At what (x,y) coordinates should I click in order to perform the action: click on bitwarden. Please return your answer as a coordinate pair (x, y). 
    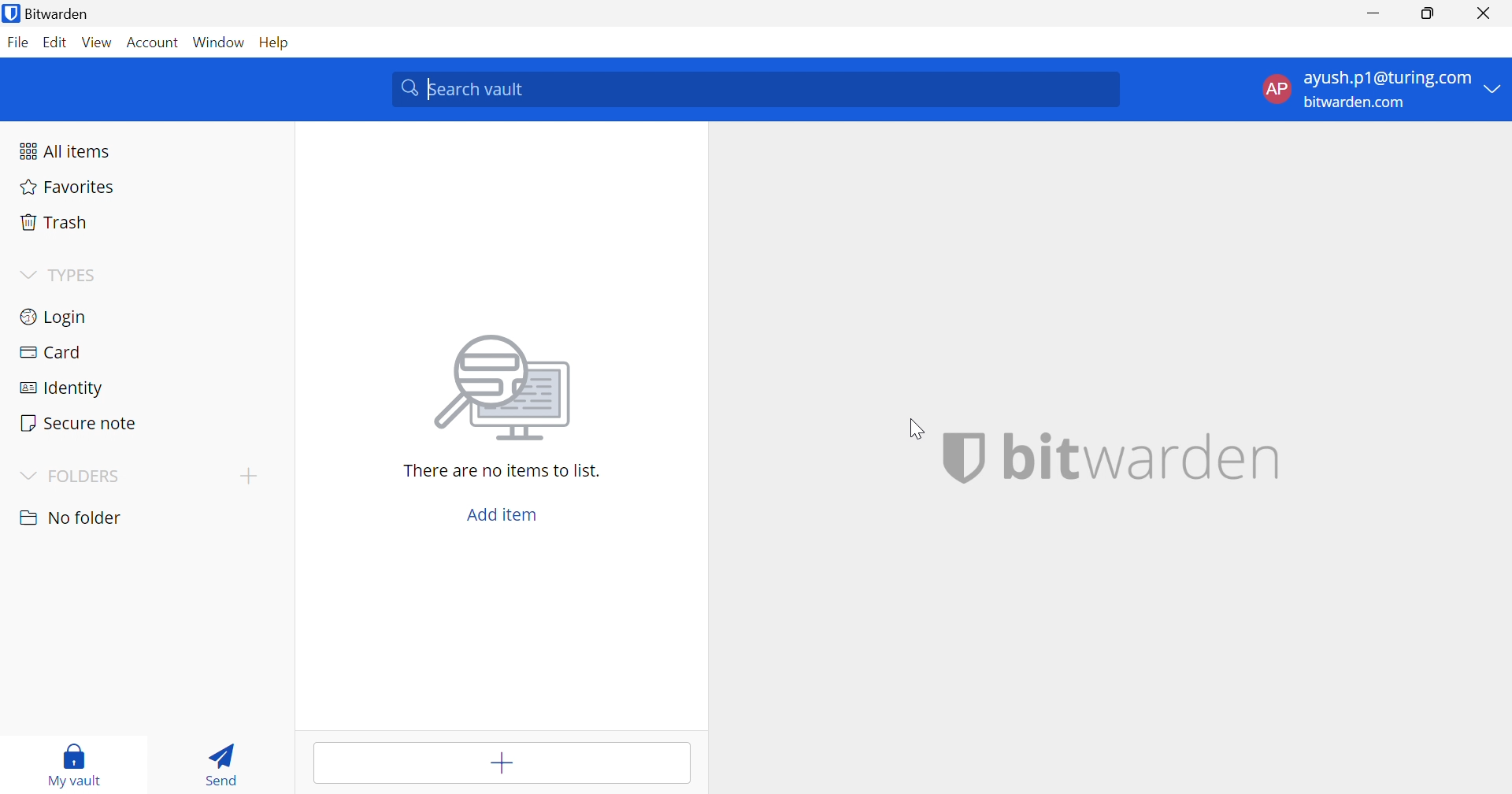
    Looking at the image, I should click on (1144, 456).